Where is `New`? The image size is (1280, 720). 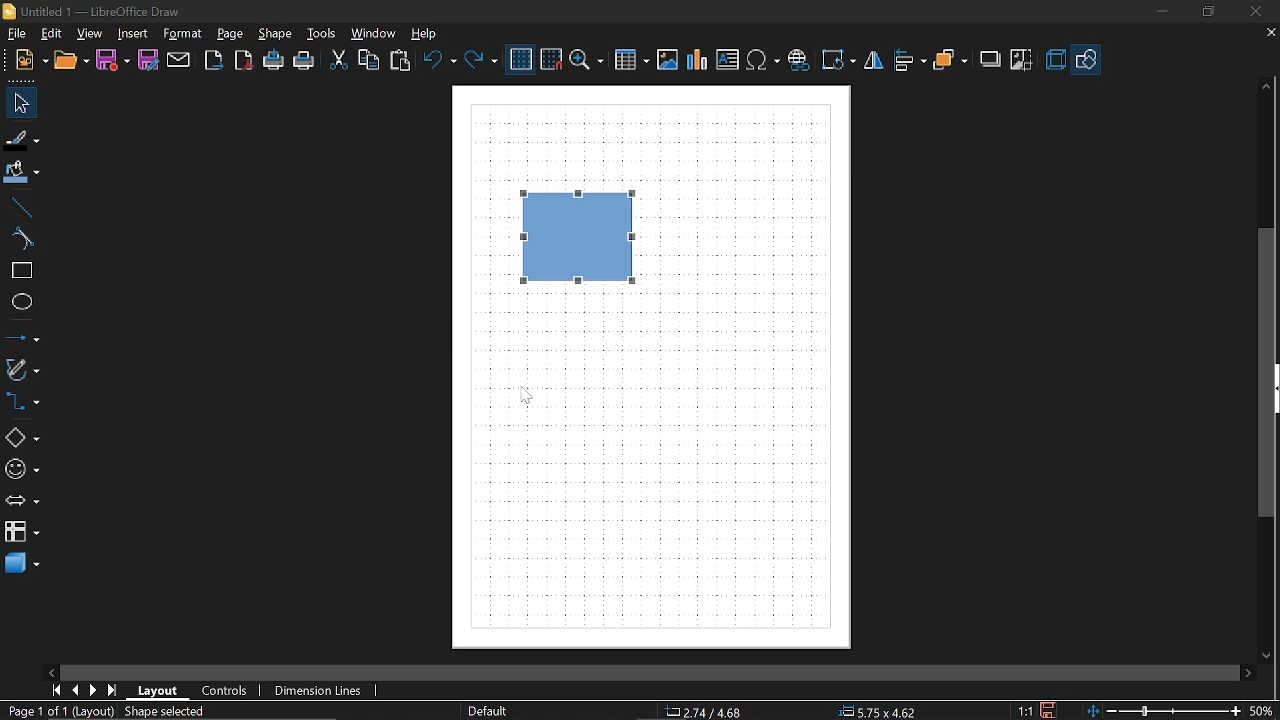
New is located at coordinates (32, 62).